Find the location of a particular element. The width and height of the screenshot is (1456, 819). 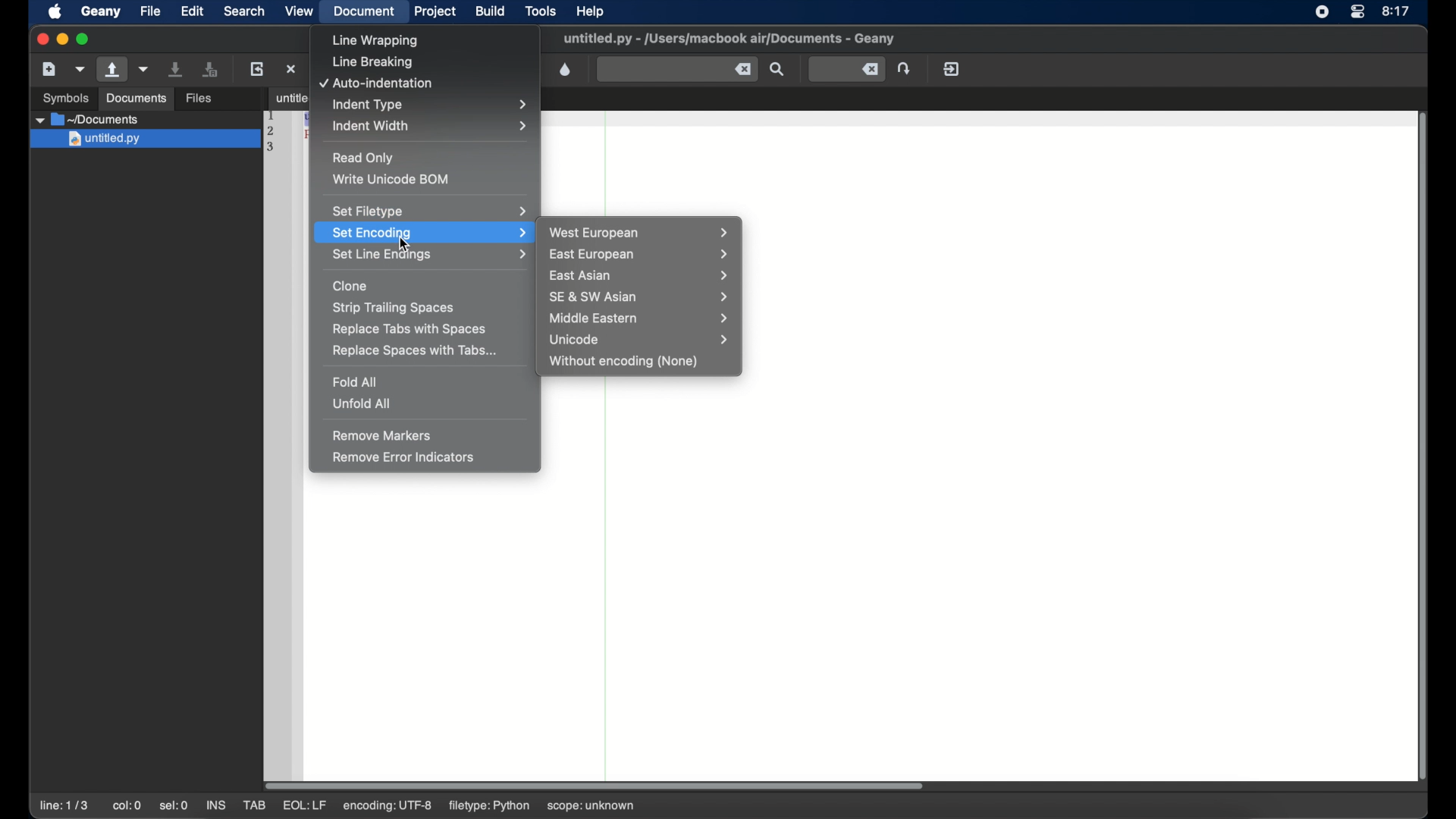

geany is located at coordinates (101, 11).